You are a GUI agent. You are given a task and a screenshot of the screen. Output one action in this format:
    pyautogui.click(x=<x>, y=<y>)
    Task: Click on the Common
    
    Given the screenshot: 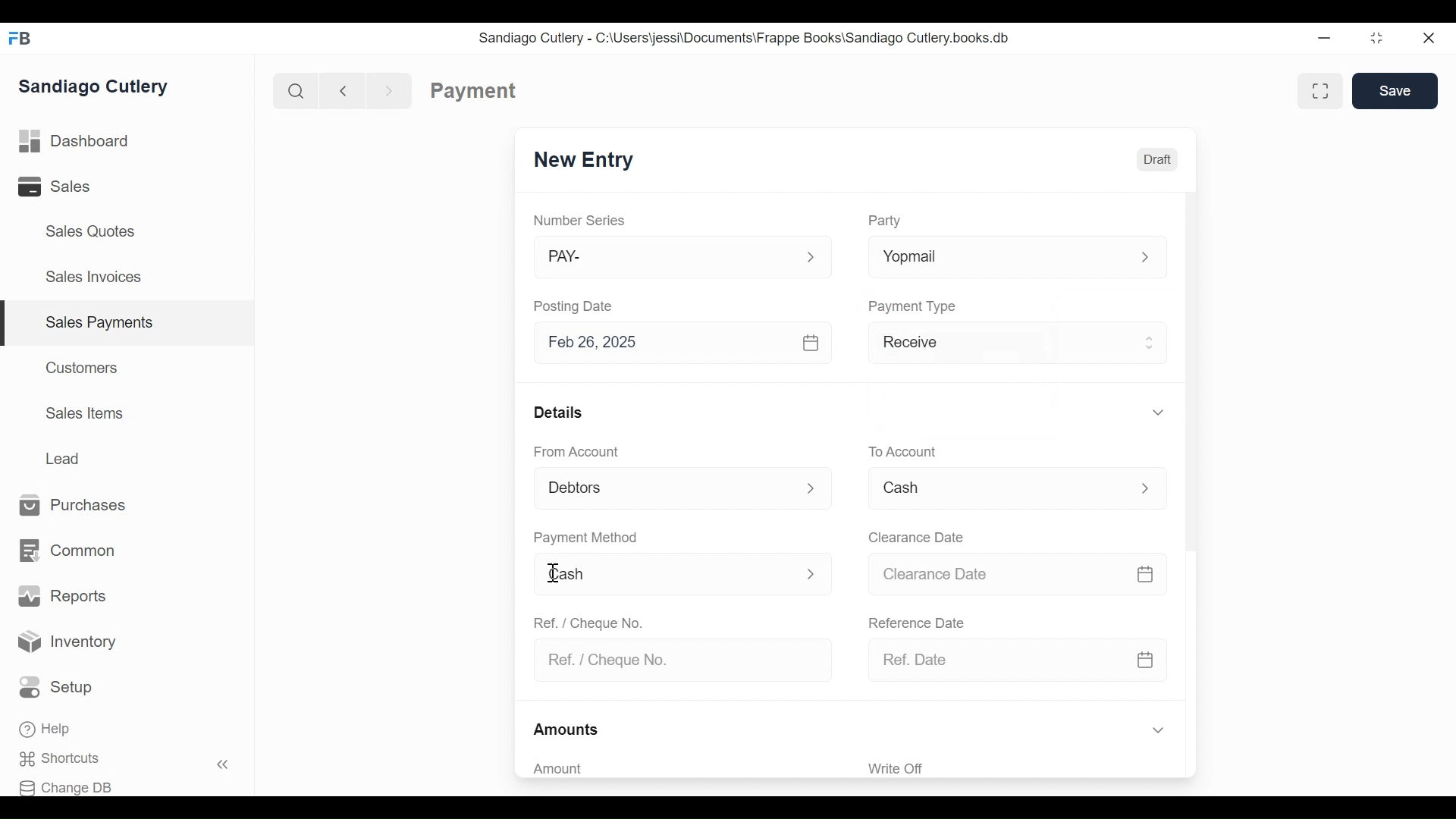 What is the action you would take?
    pyautogui.click(x=66, y=551)
    